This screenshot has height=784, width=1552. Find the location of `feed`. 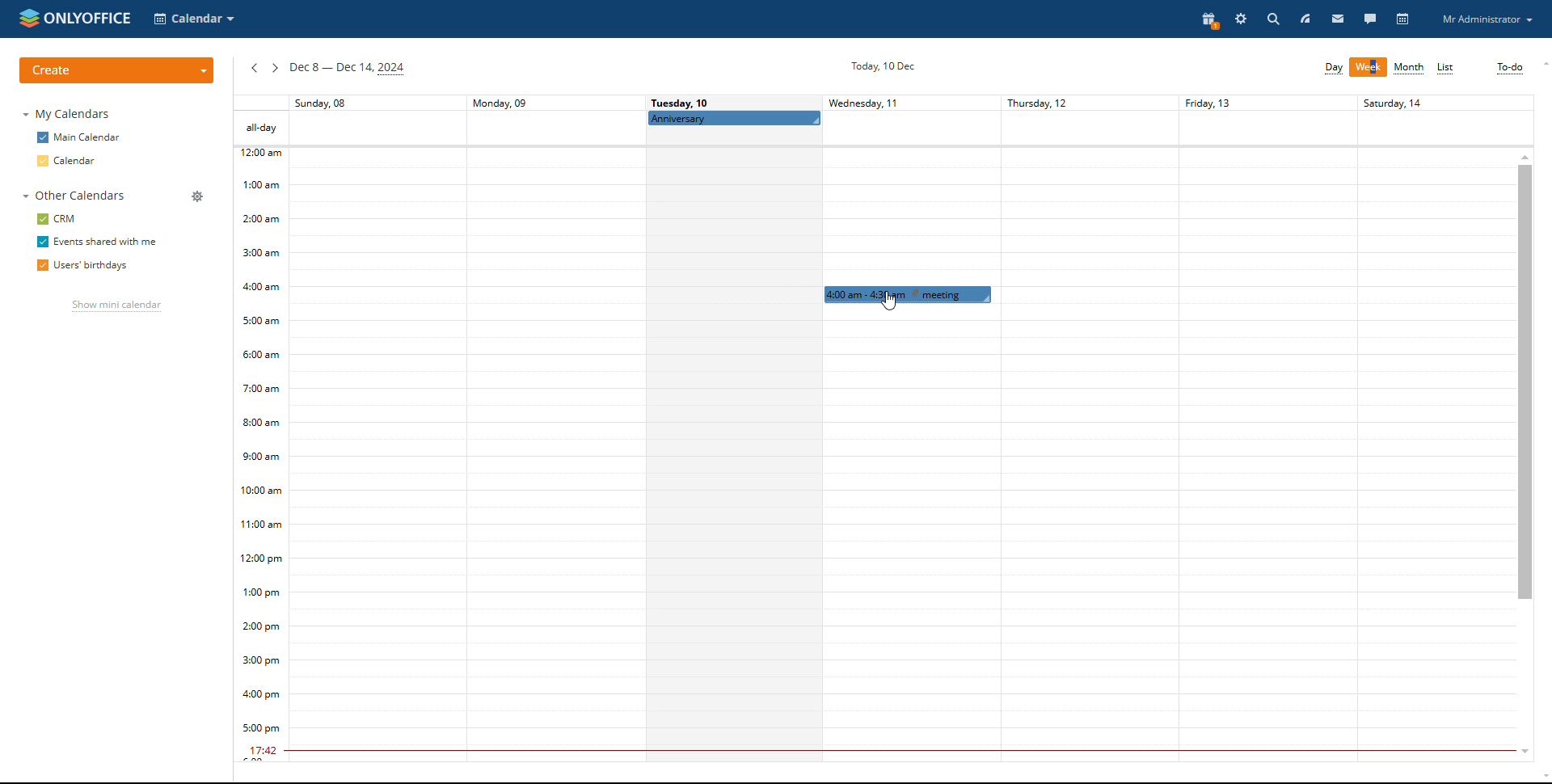

feed is located at coordinates (1323, 19).